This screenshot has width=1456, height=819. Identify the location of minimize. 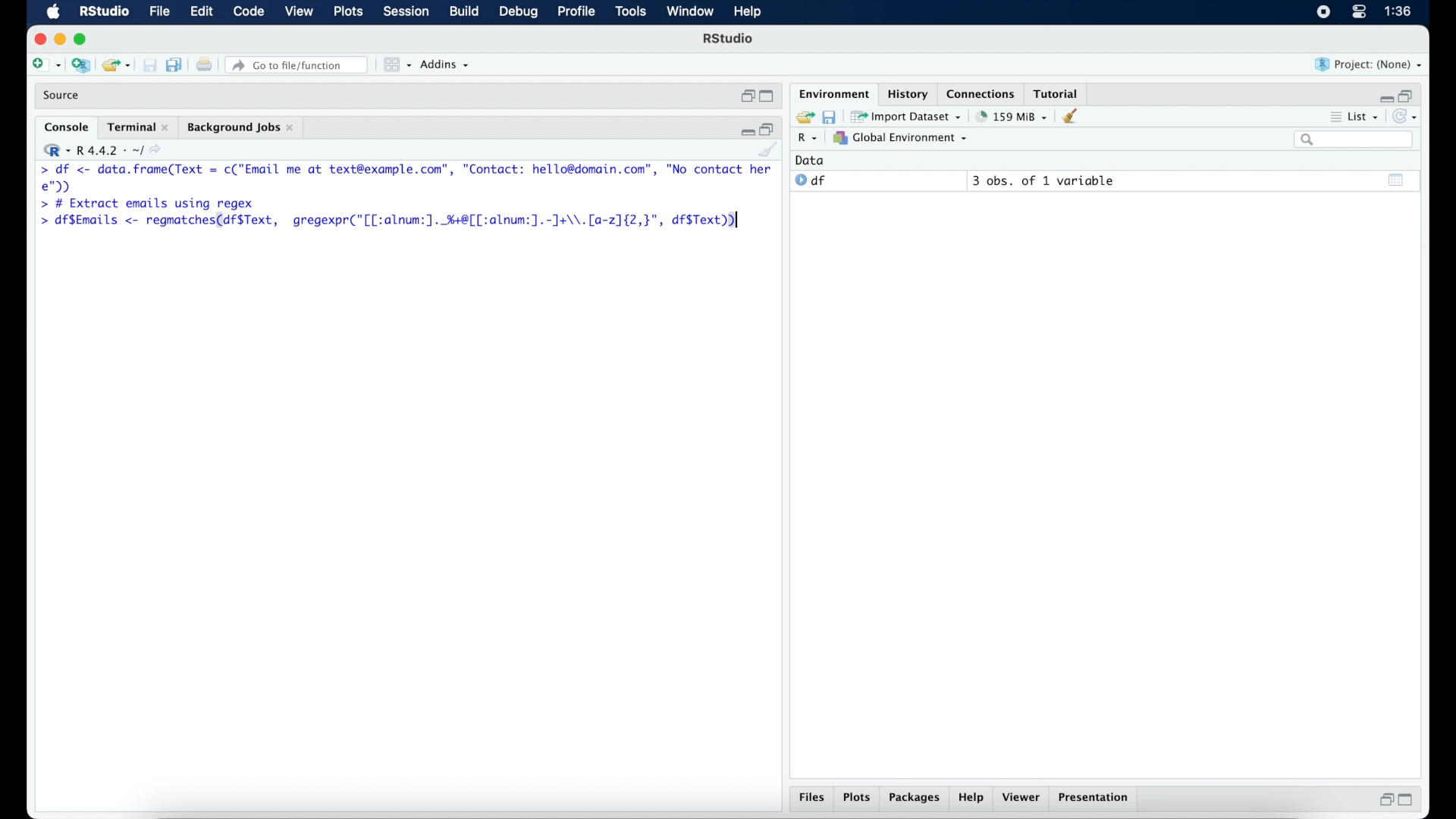
(1386, 96).